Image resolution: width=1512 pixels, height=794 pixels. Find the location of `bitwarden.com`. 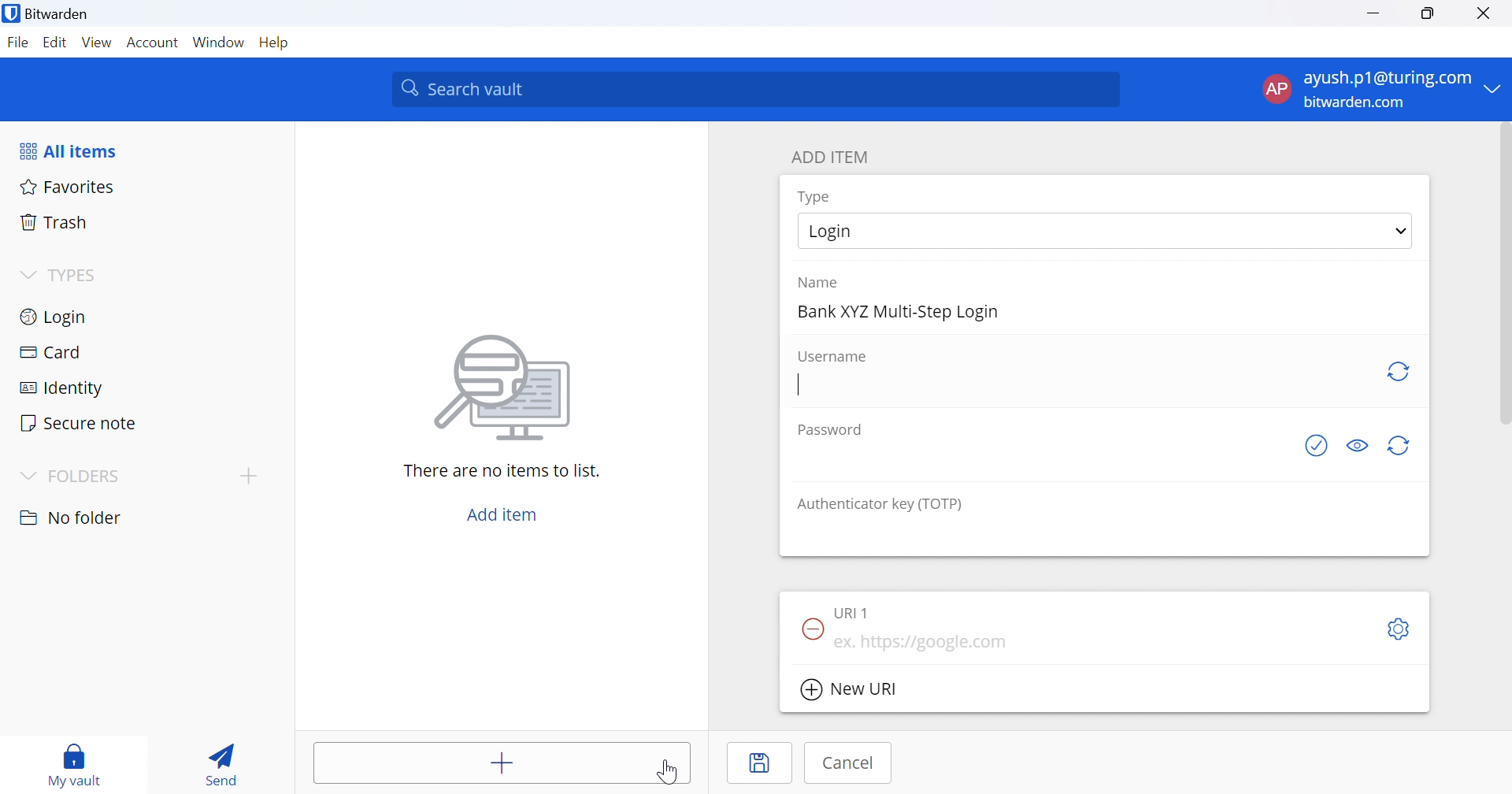

bitwarden.com is located at coordinates (1354, 102).